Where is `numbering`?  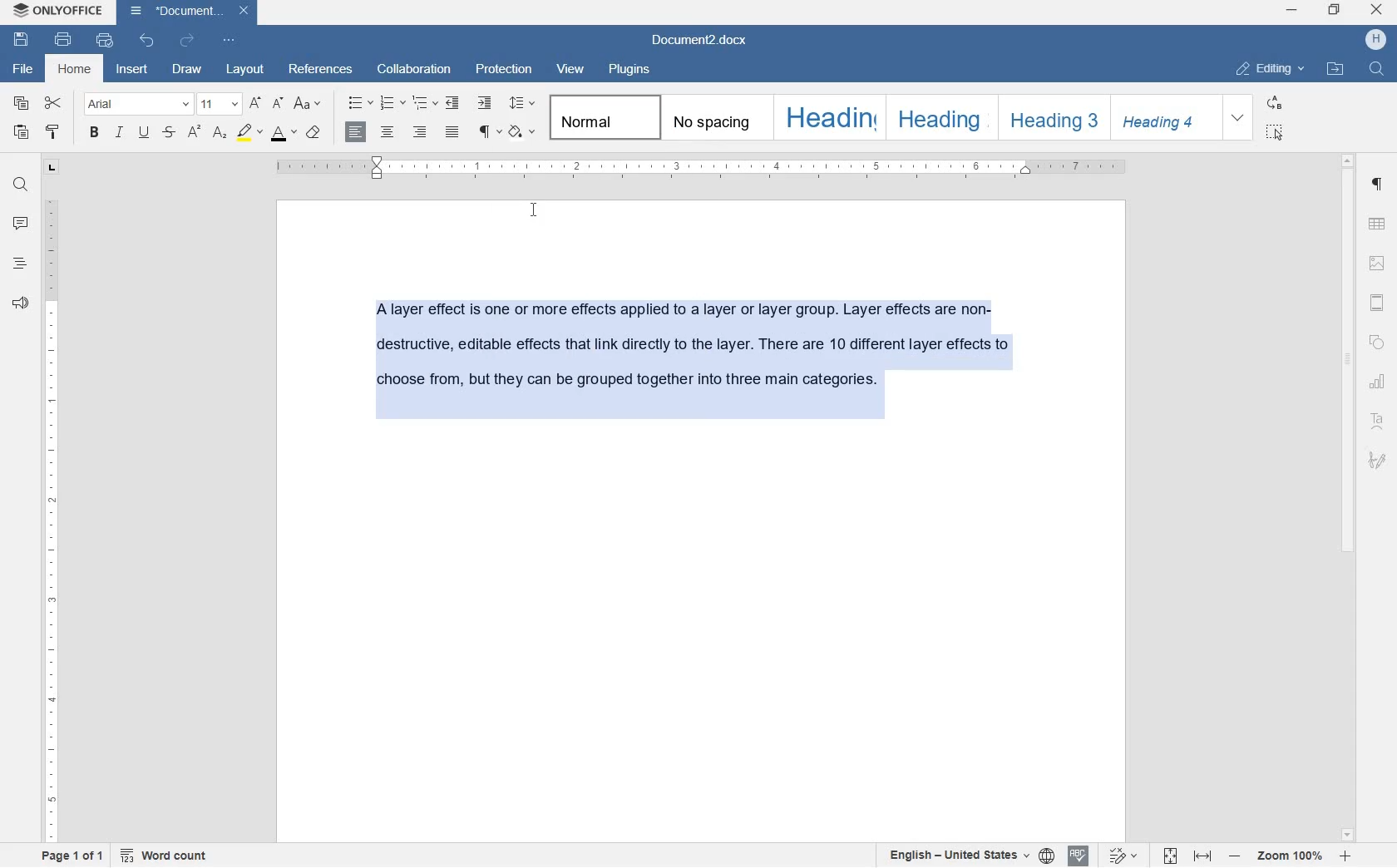
numbering is located at coordinates (390, 103).